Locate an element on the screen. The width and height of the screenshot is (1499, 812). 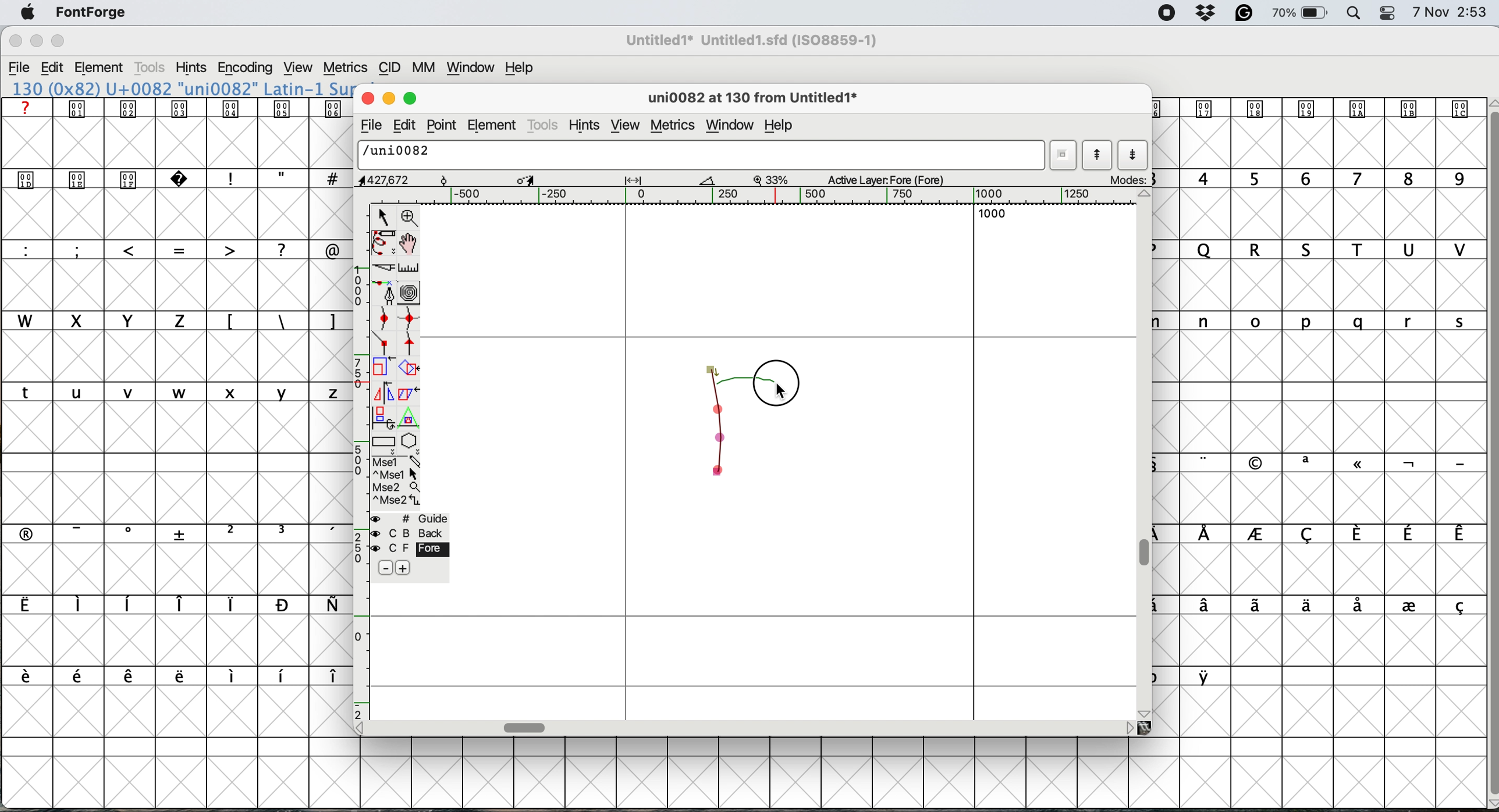
hints is located at coordinates (588, 126).